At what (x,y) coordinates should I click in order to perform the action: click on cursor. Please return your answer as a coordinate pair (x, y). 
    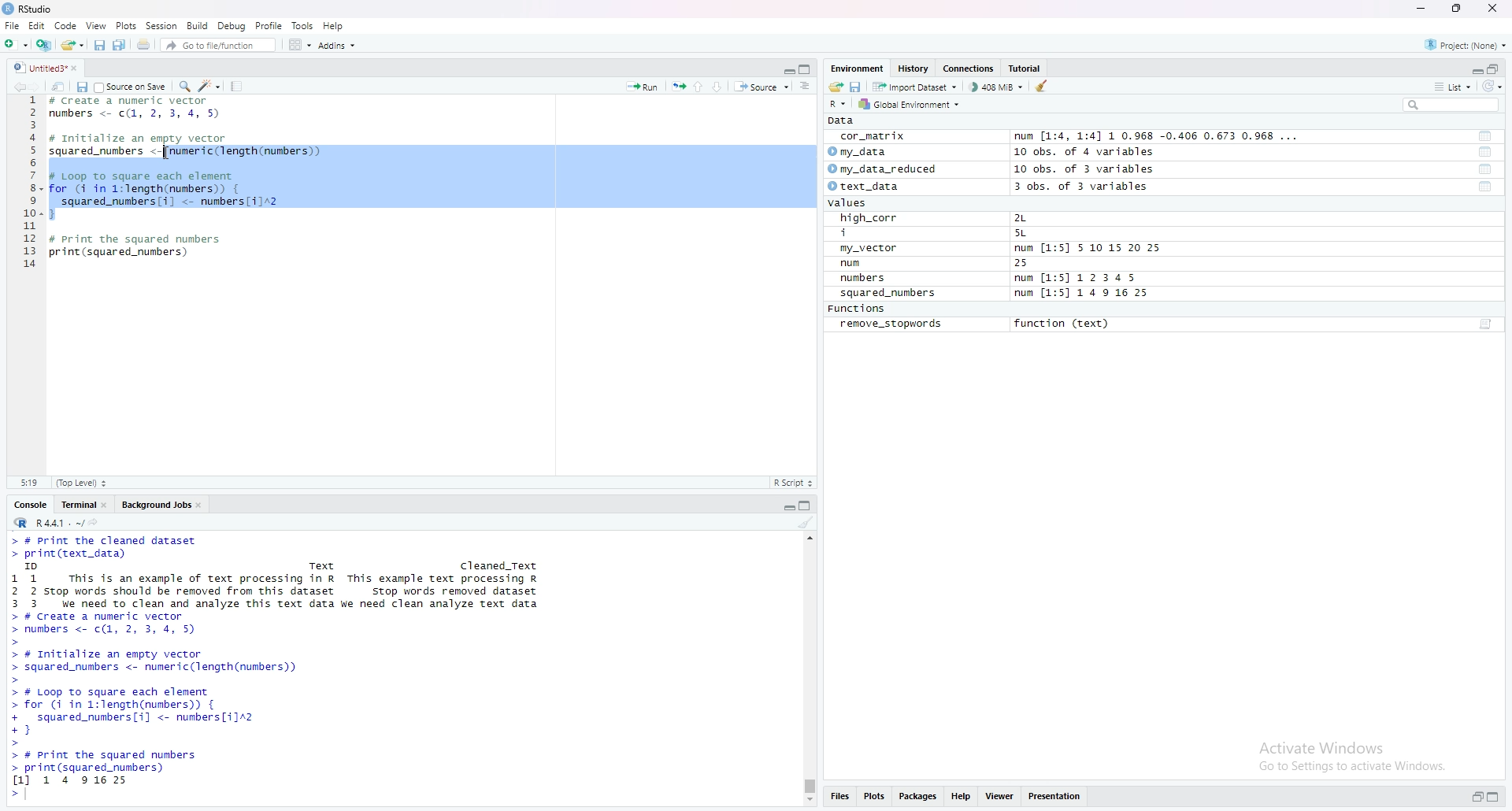
    Looking at the image, I should click on (165, 154).